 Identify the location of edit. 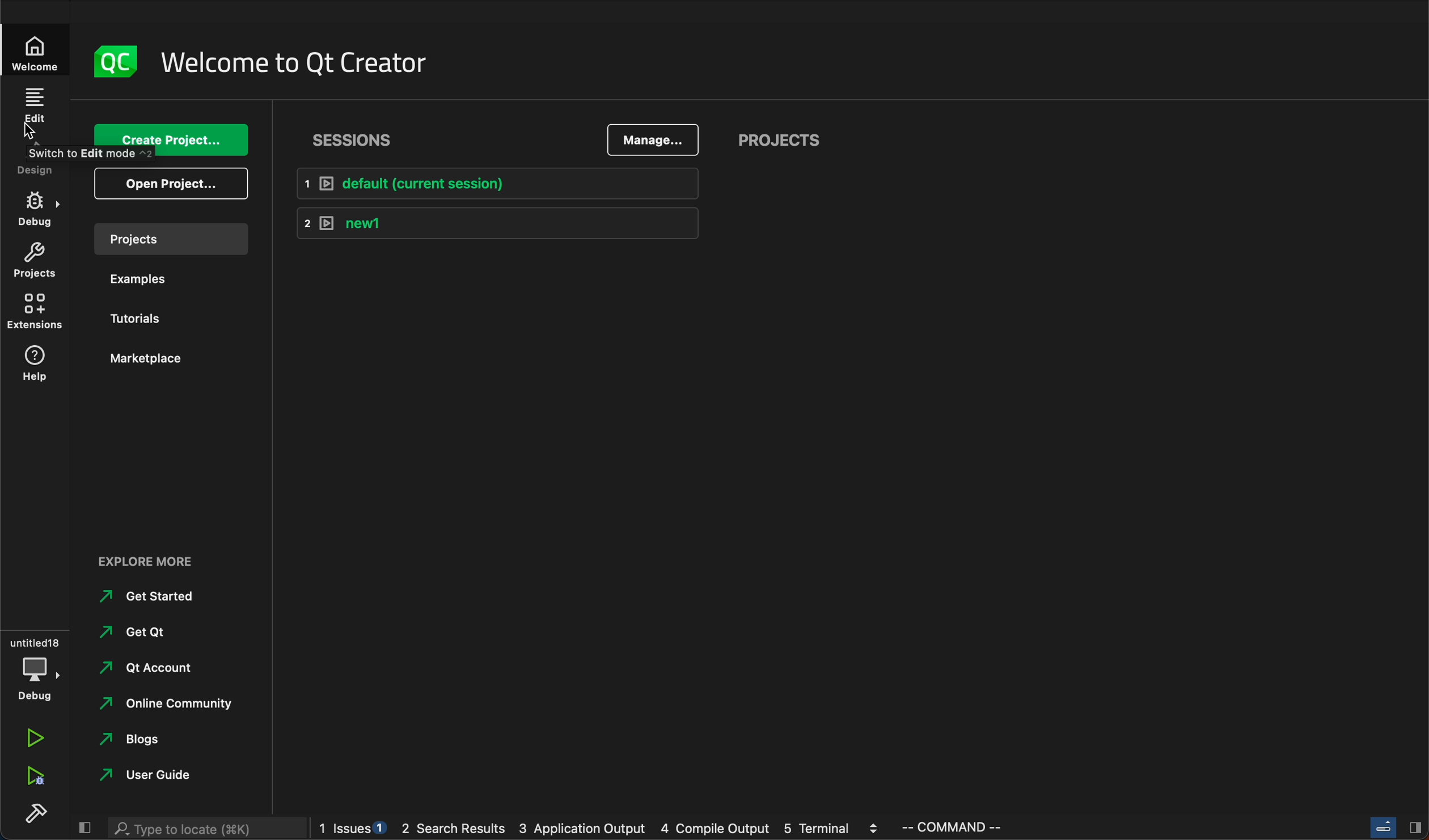
(32, 104).